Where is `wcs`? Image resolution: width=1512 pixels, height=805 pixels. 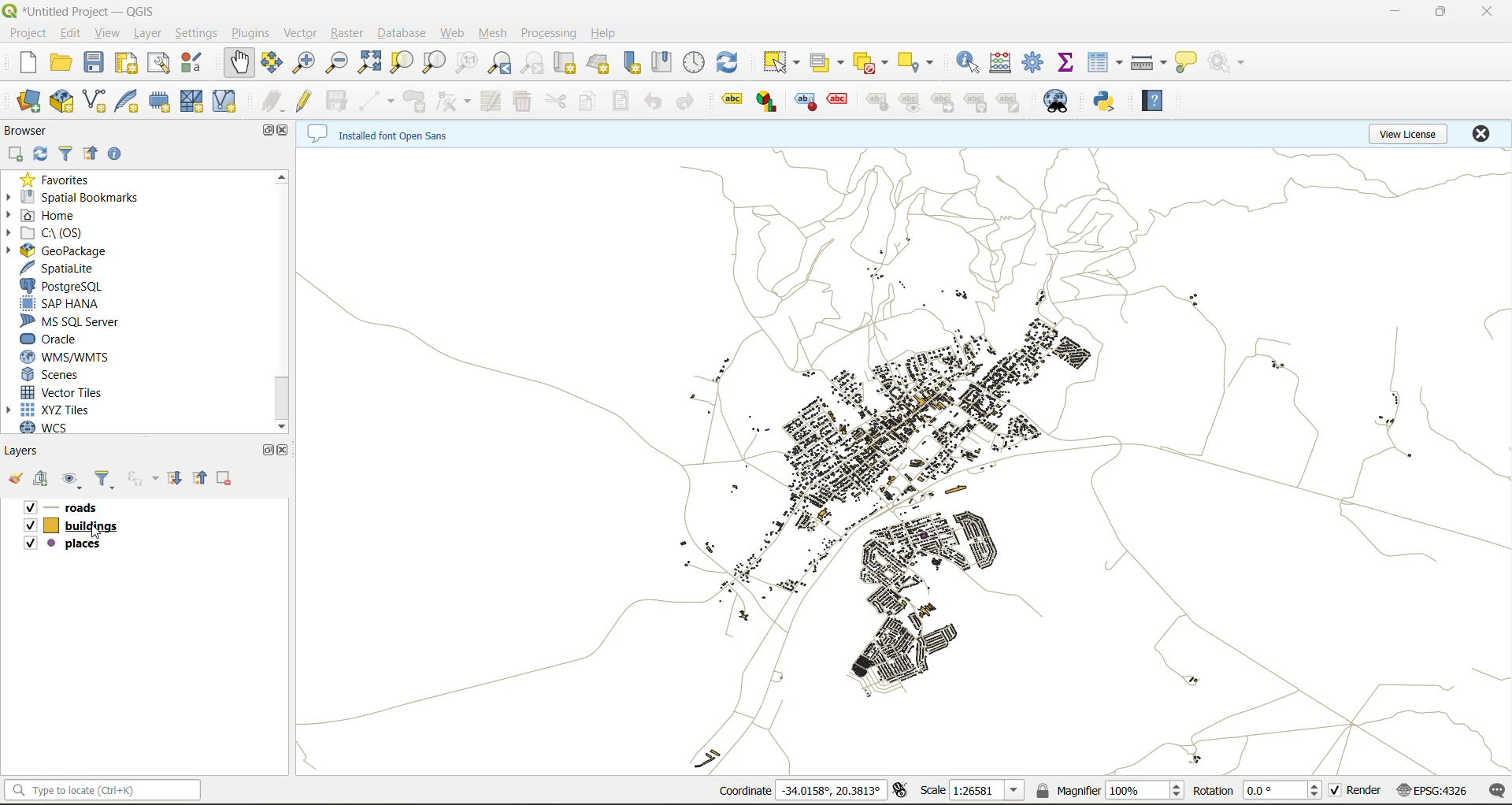
wcs is located at coordinates (57, 425).